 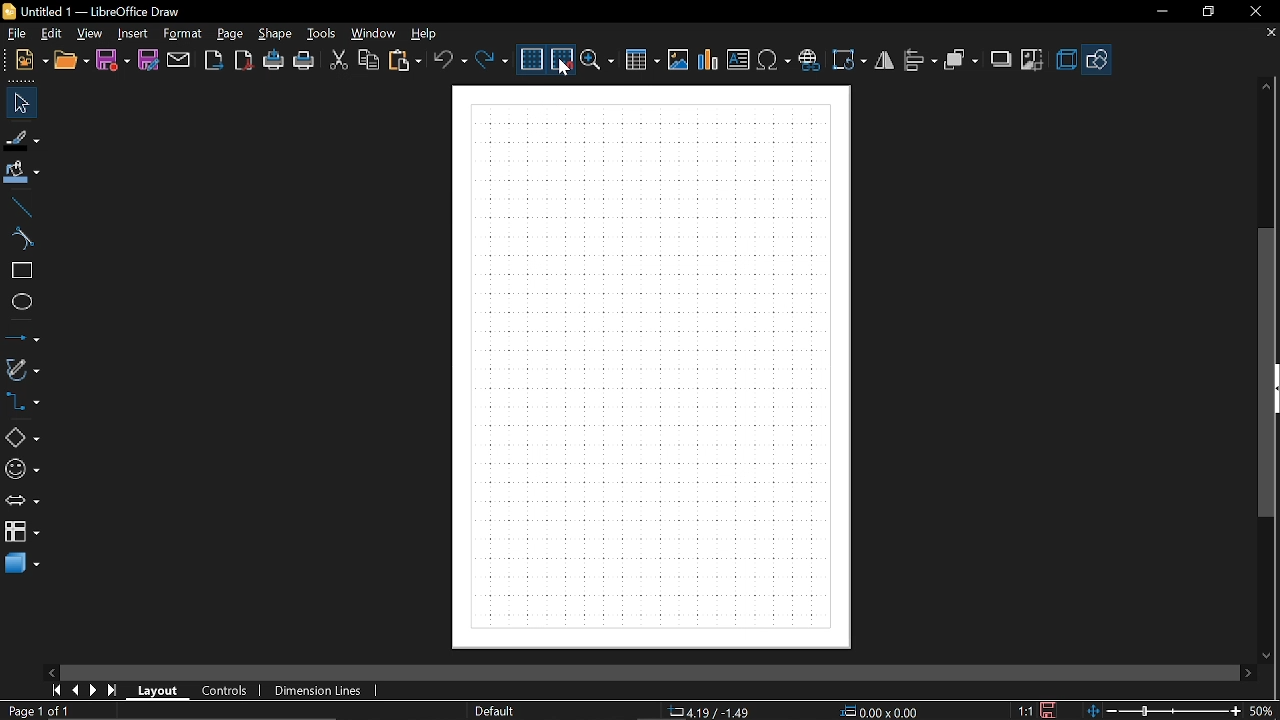 What do you see at coordinates (50, 34) in the screenshot?
I see `edit` at bounding box center [50, 34].